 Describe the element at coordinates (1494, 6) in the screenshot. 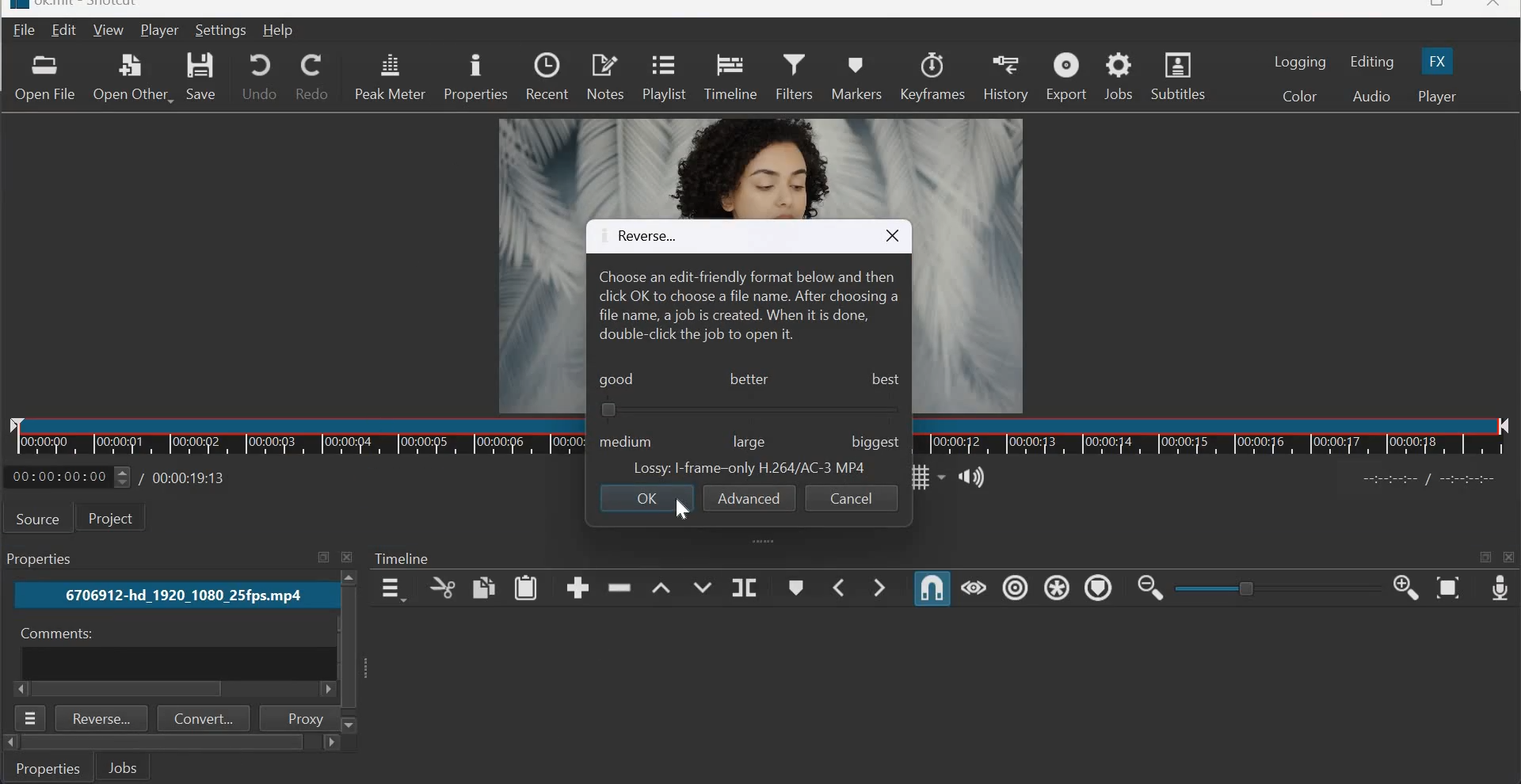

I see `close` at that location.